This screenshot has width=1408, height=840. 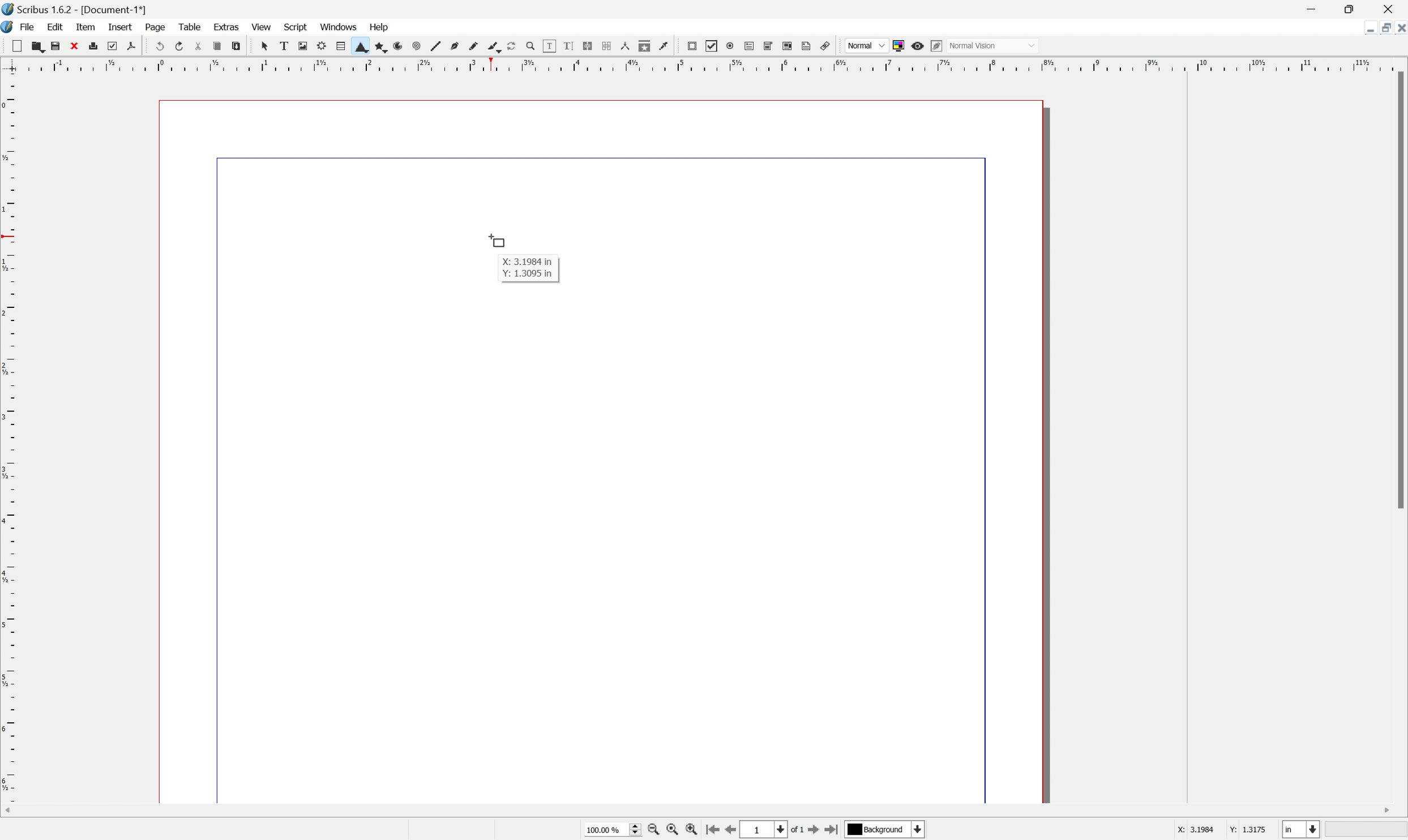 What do you see at coordinates (747, 46) in the screenshot?
I see `PDF text field` at bounding box center [747, 46].